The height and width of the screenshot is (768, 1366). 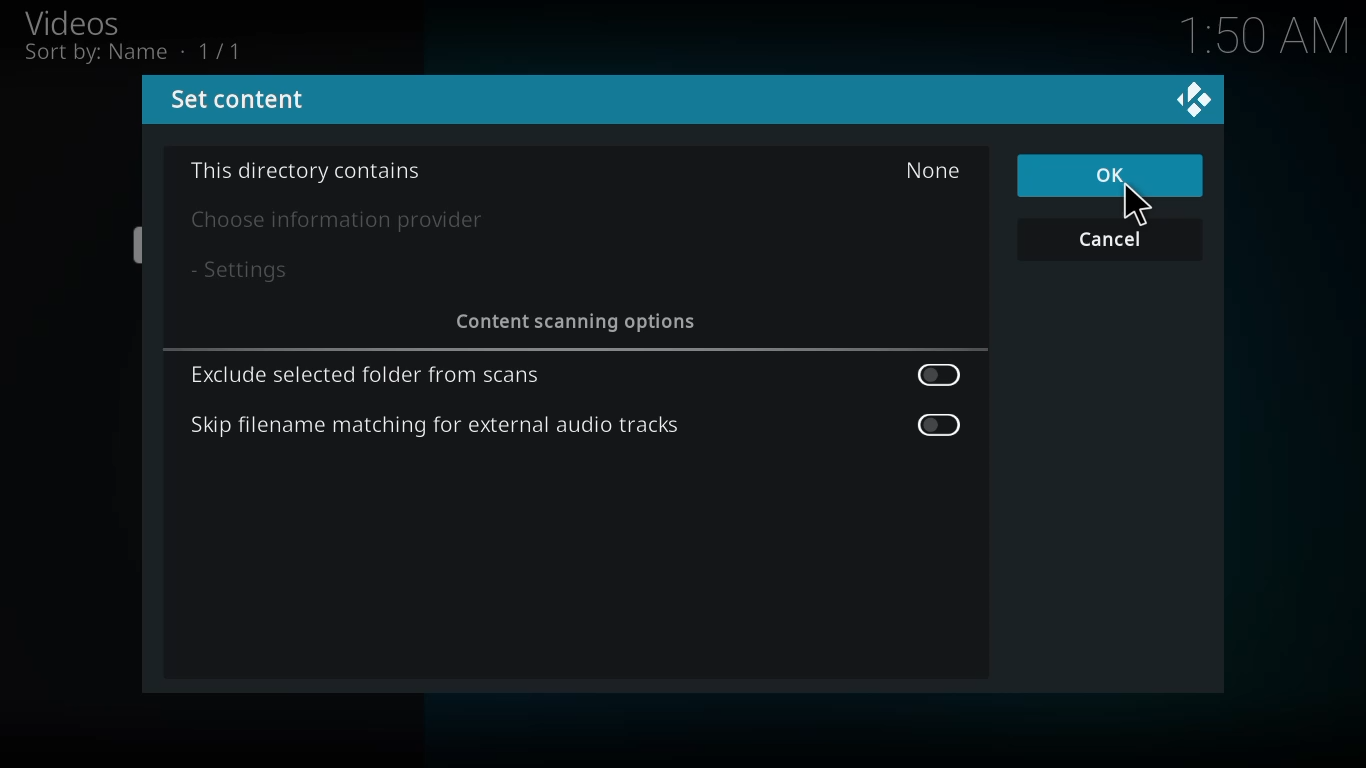 What do you see at coordinates (302, 173) in the screenshot?
I see `directory contains` at bounding box center [302, 173].